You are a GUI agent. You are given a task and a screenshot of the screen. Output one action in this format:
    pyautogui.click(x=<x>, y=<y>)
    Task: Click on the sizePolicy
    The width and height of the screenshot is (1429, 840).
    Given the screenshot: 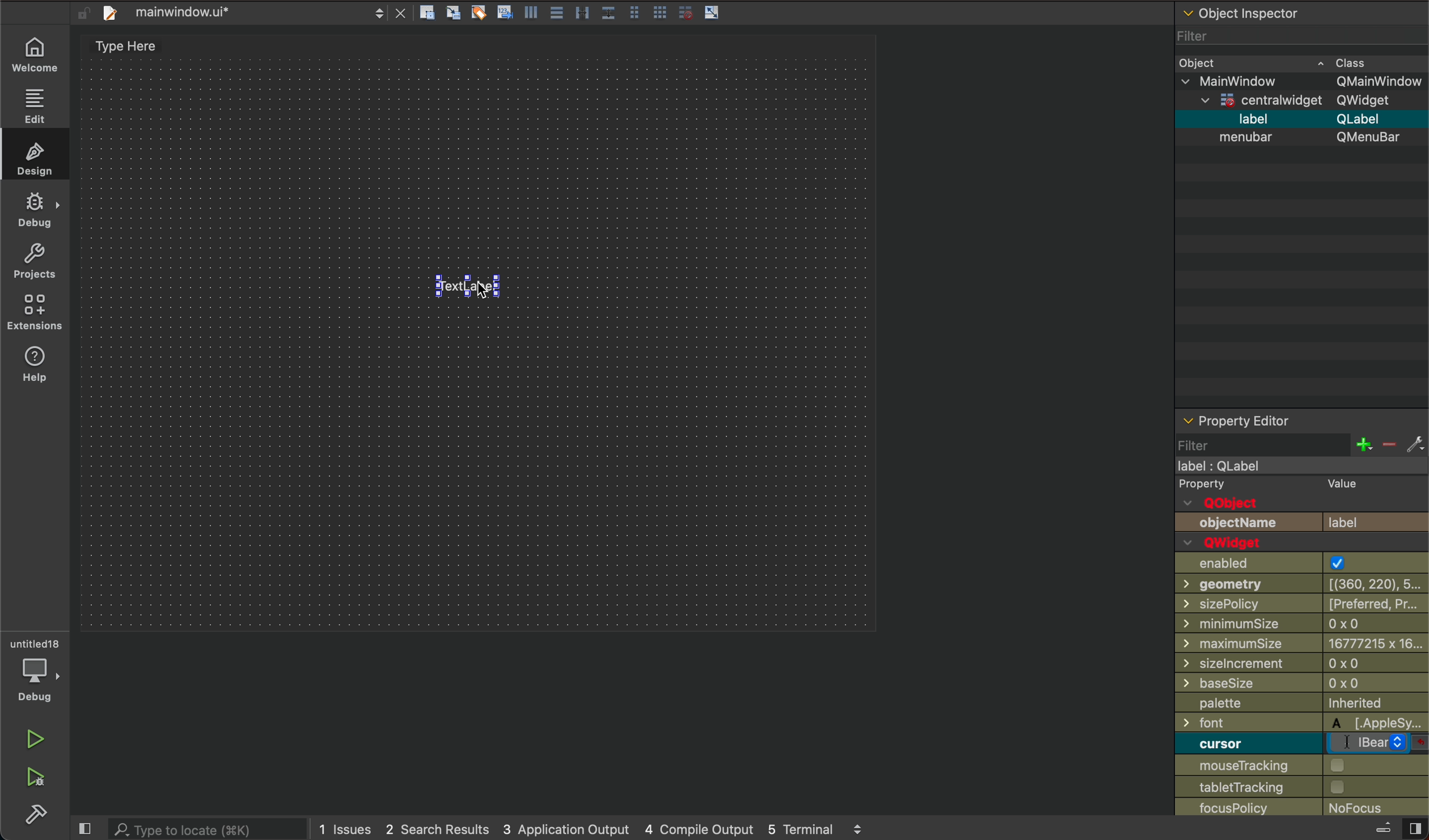 What is the action you would take?
    pyautogui.click(x=1243, y=604)
    